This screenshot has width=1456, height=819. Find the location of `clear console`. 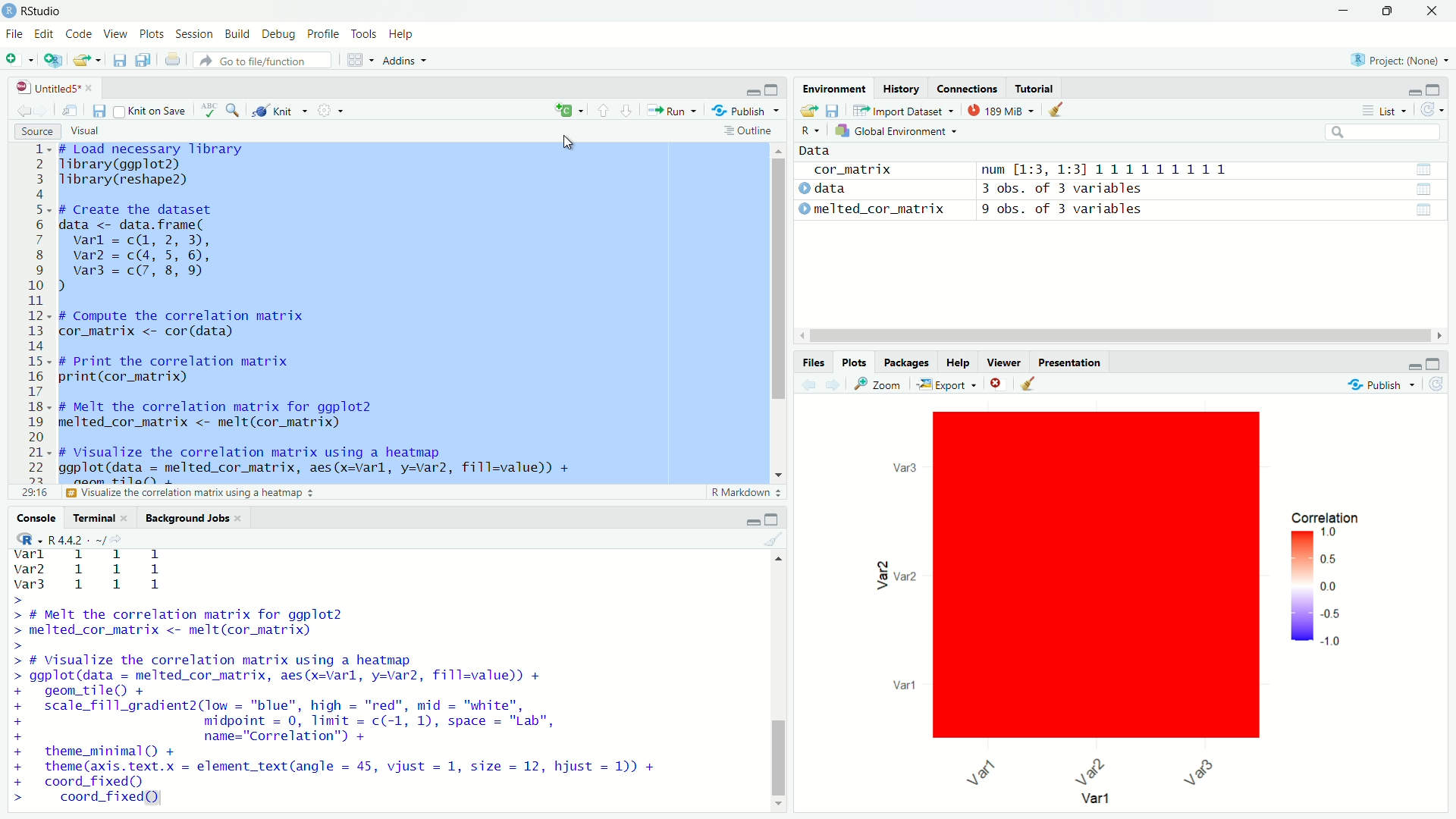

clear console is located at coordinates (777, 538).